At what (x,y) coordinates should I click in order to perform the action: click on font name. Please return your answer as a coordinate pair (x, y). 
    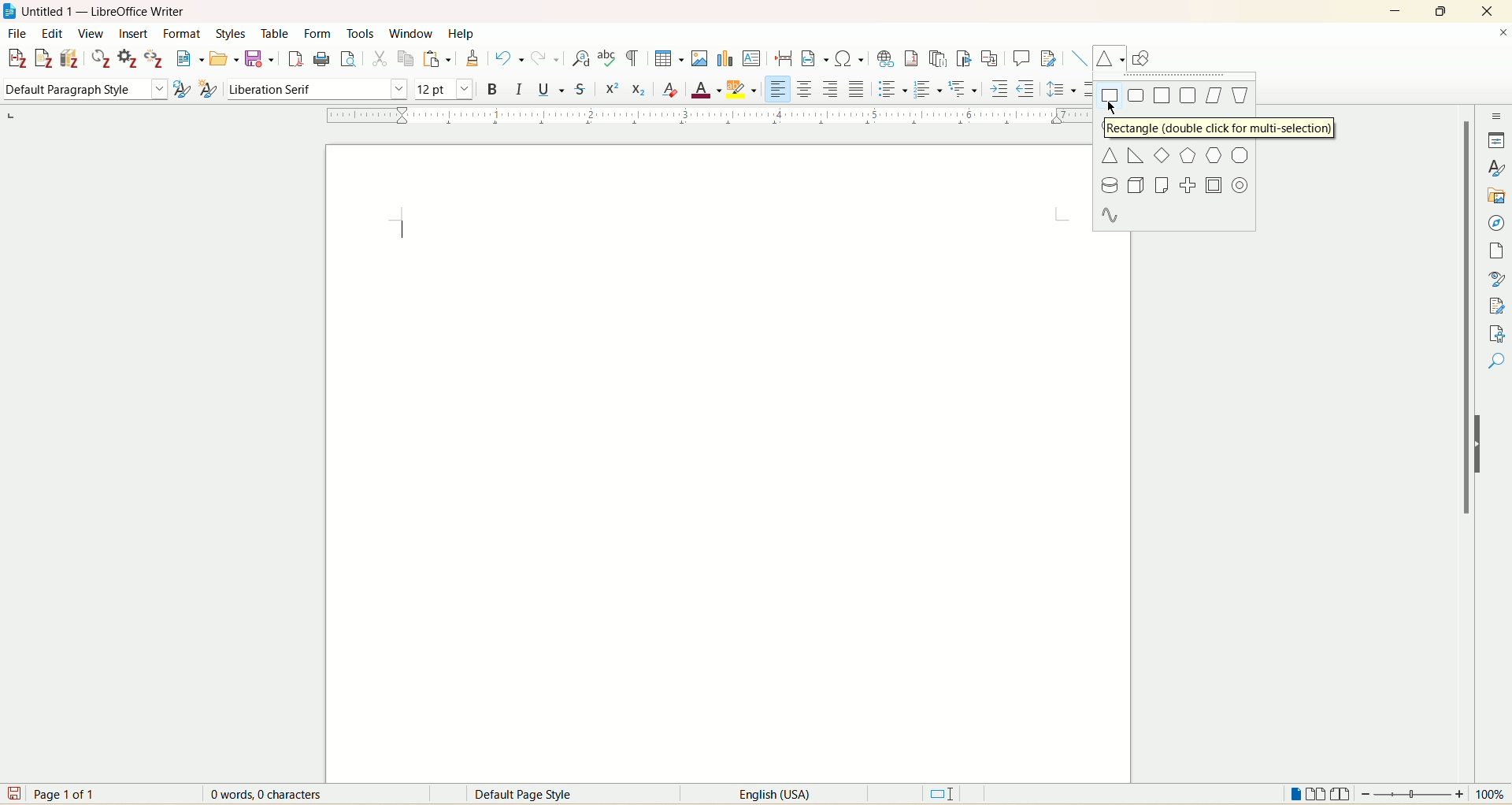
    Looking at the image, I should click on (315, 89).